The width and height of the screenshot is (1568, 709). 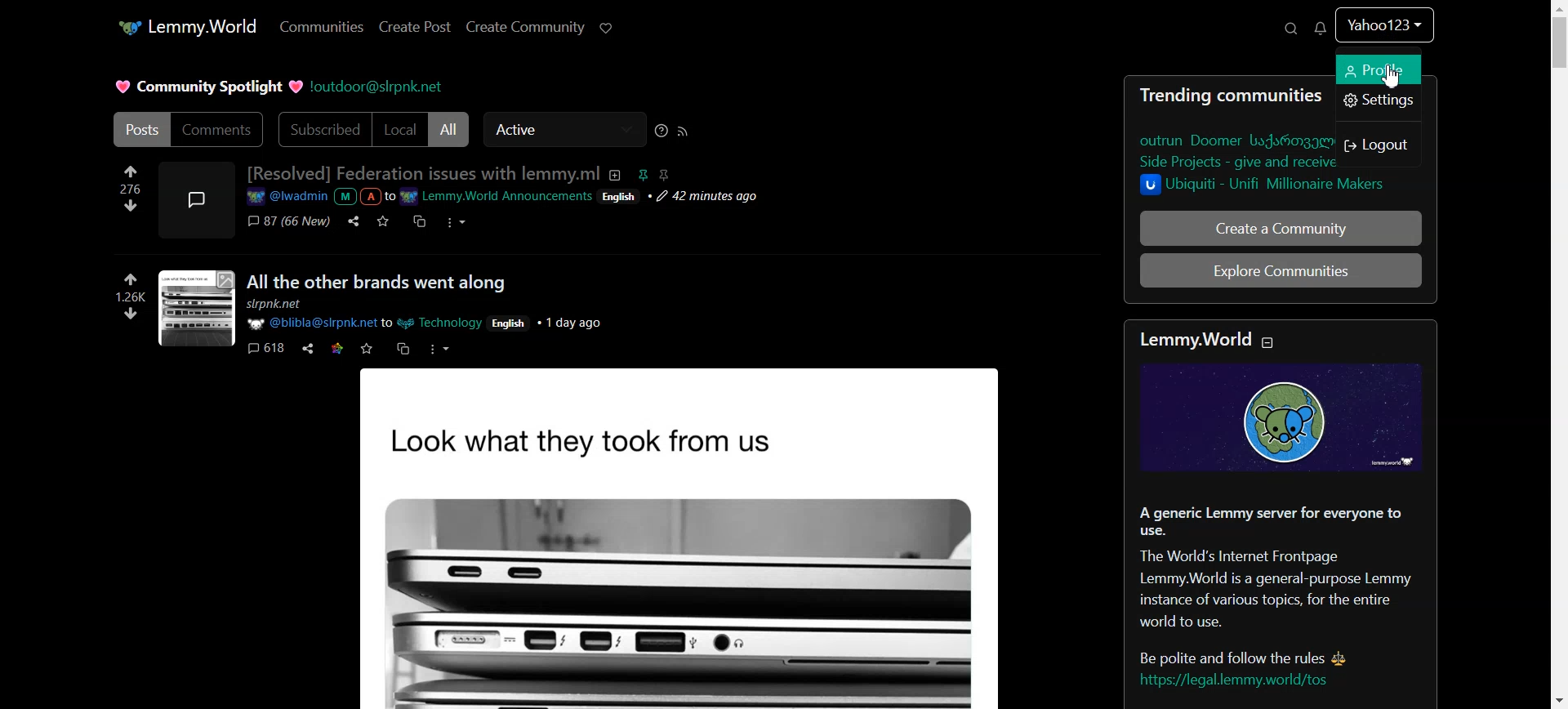 What do you see at coordinates (1174, 96) in the screenshot?
I see `trending` at bounding box center [1174, 96].